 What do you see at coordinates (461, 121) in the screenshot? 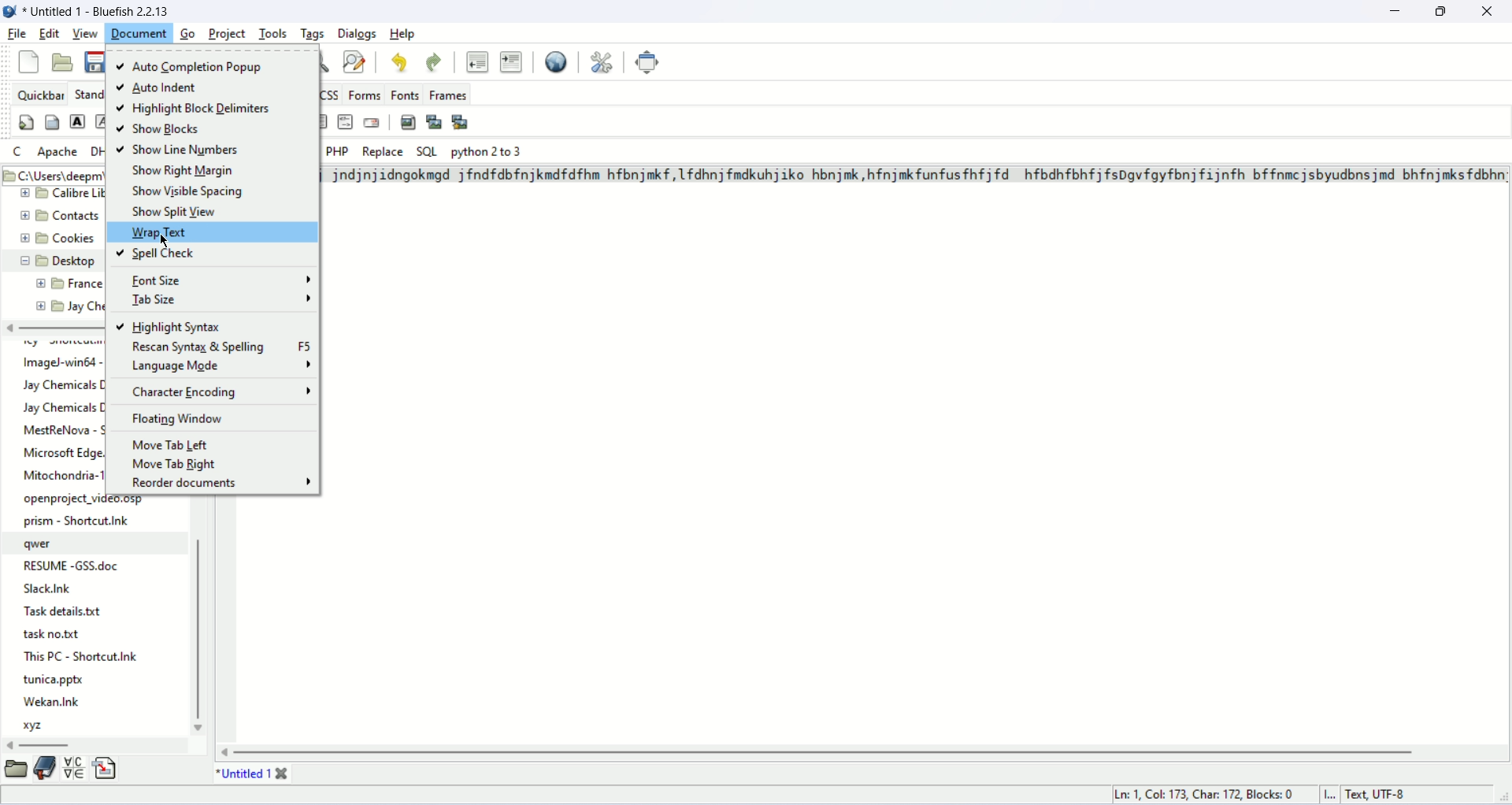
I see `multi thumbnail` at bounding box center [461, 121].